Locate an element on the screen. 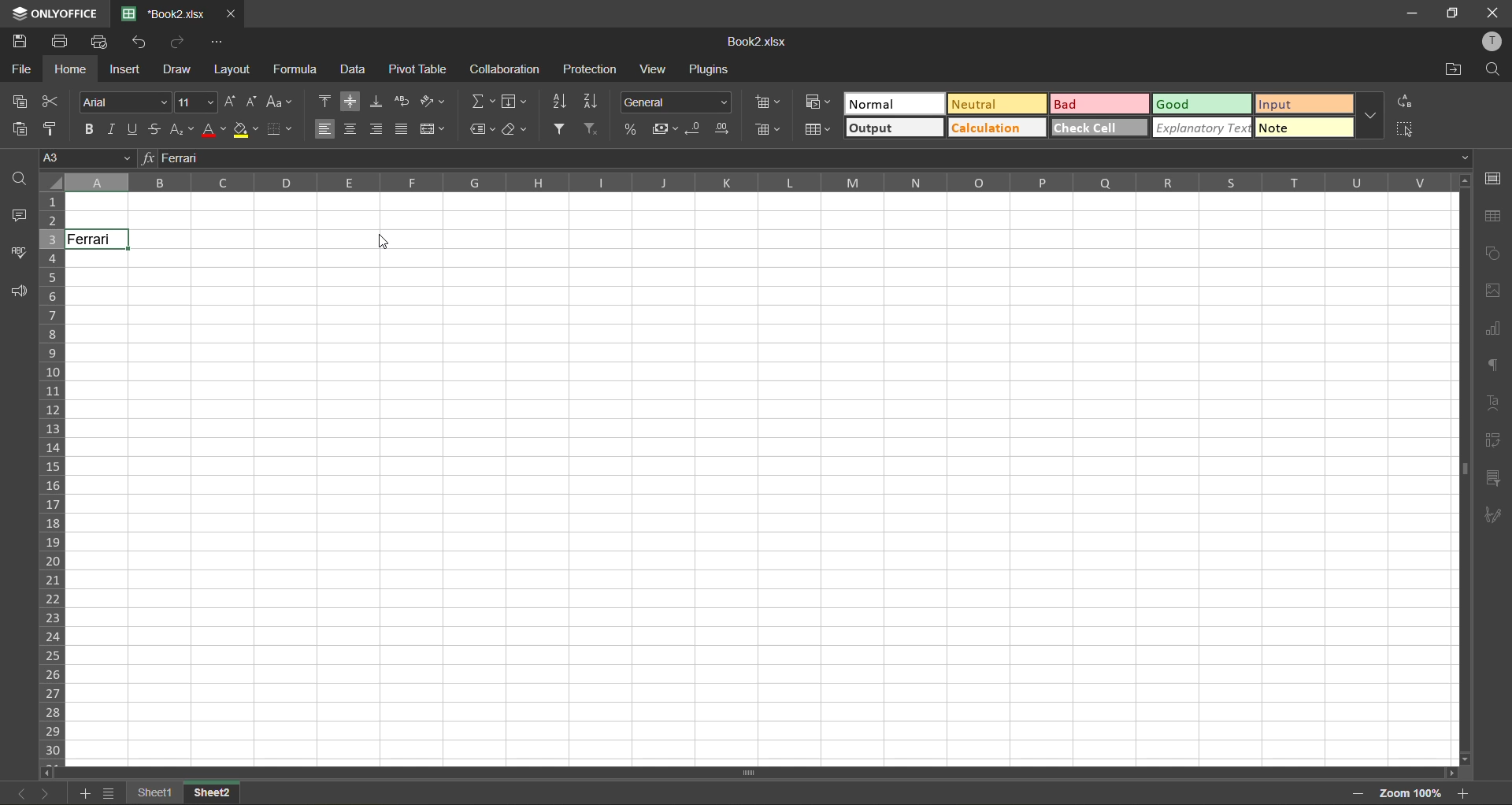  input is located at coordinates (1299, 106).